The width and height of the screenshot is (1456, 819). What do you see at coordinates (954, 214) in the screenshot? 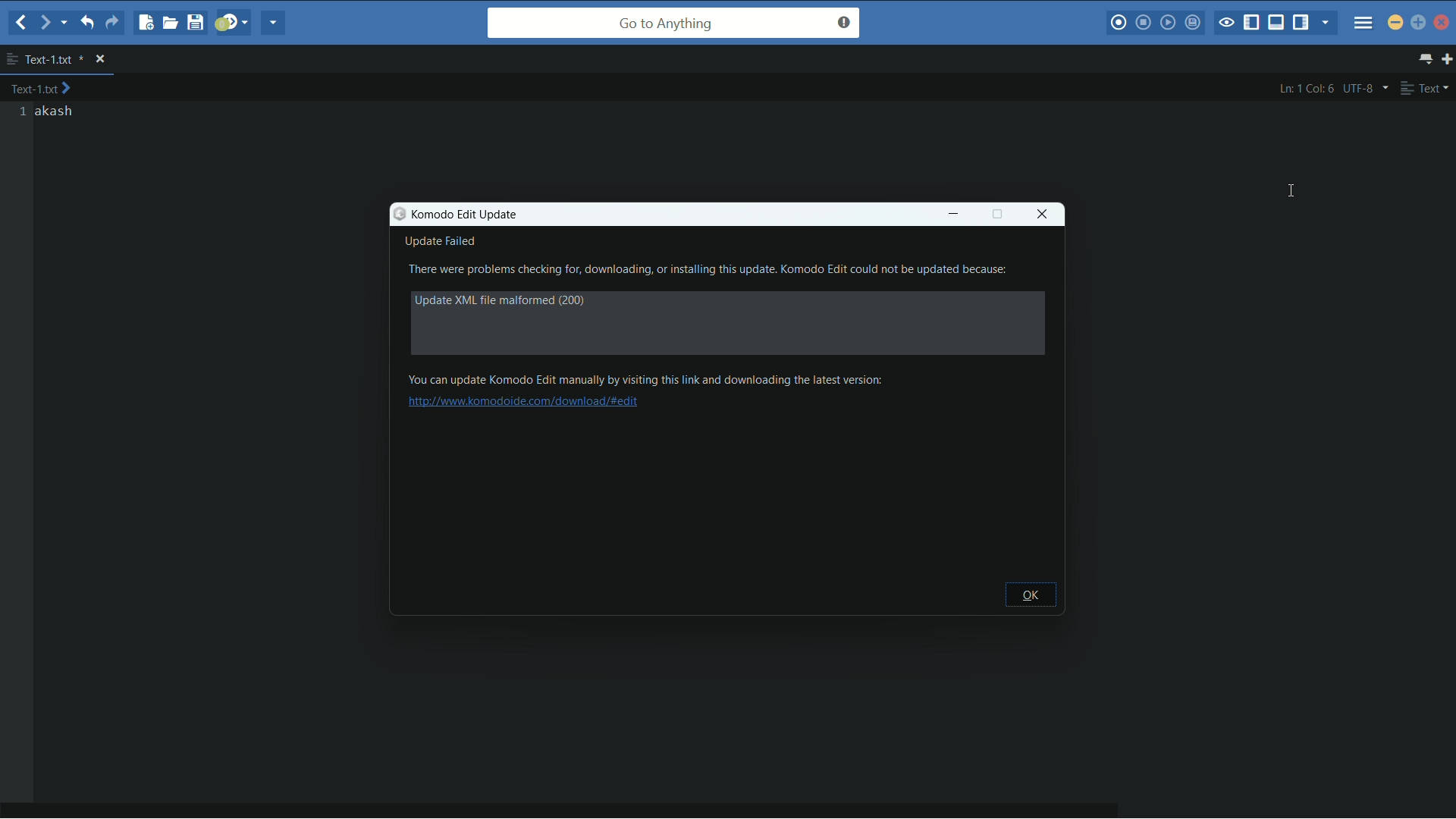
I see `minimize` at bounding box center [954, 214].